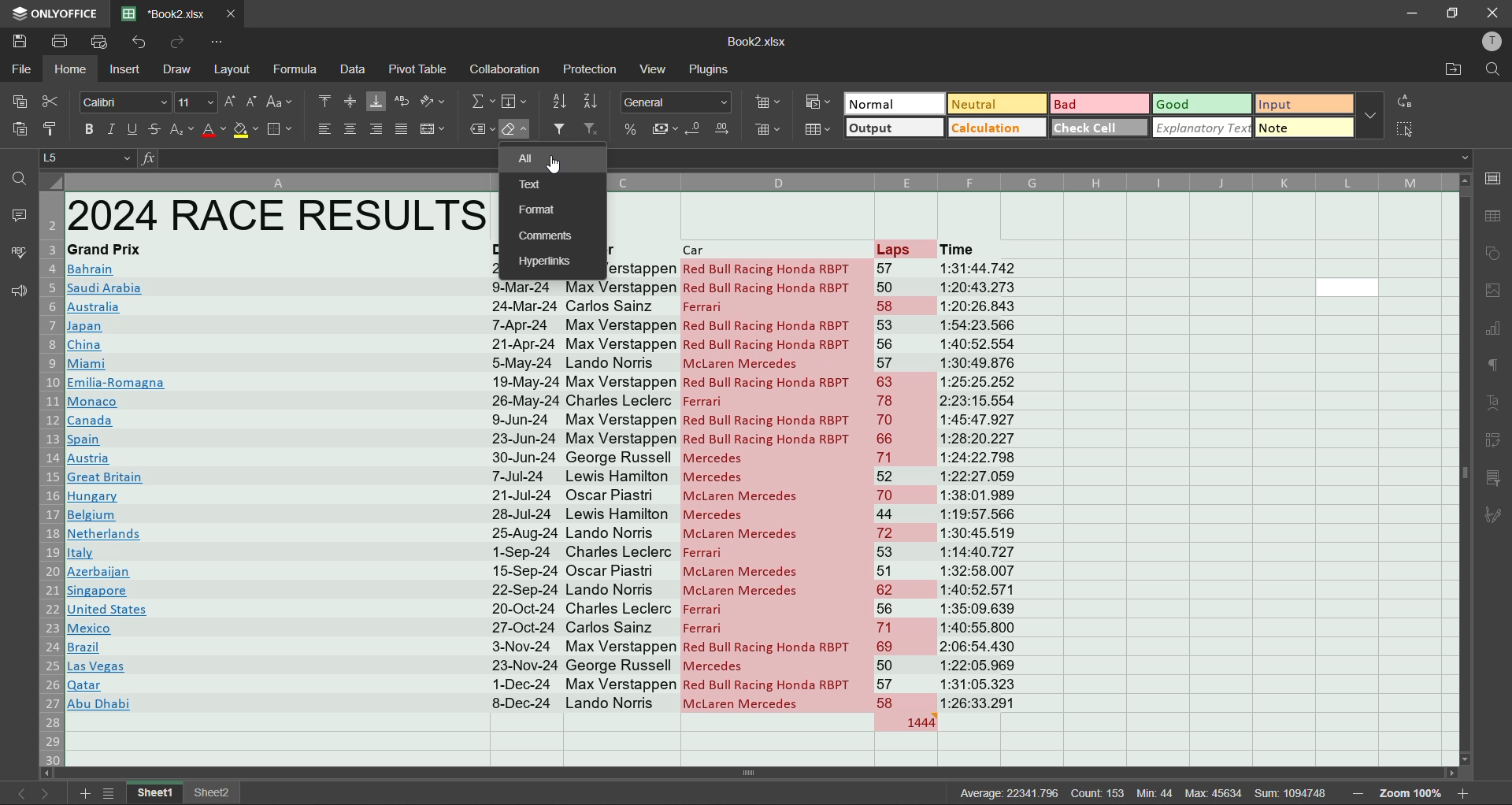  I want to click on filter, so click(561, 130).